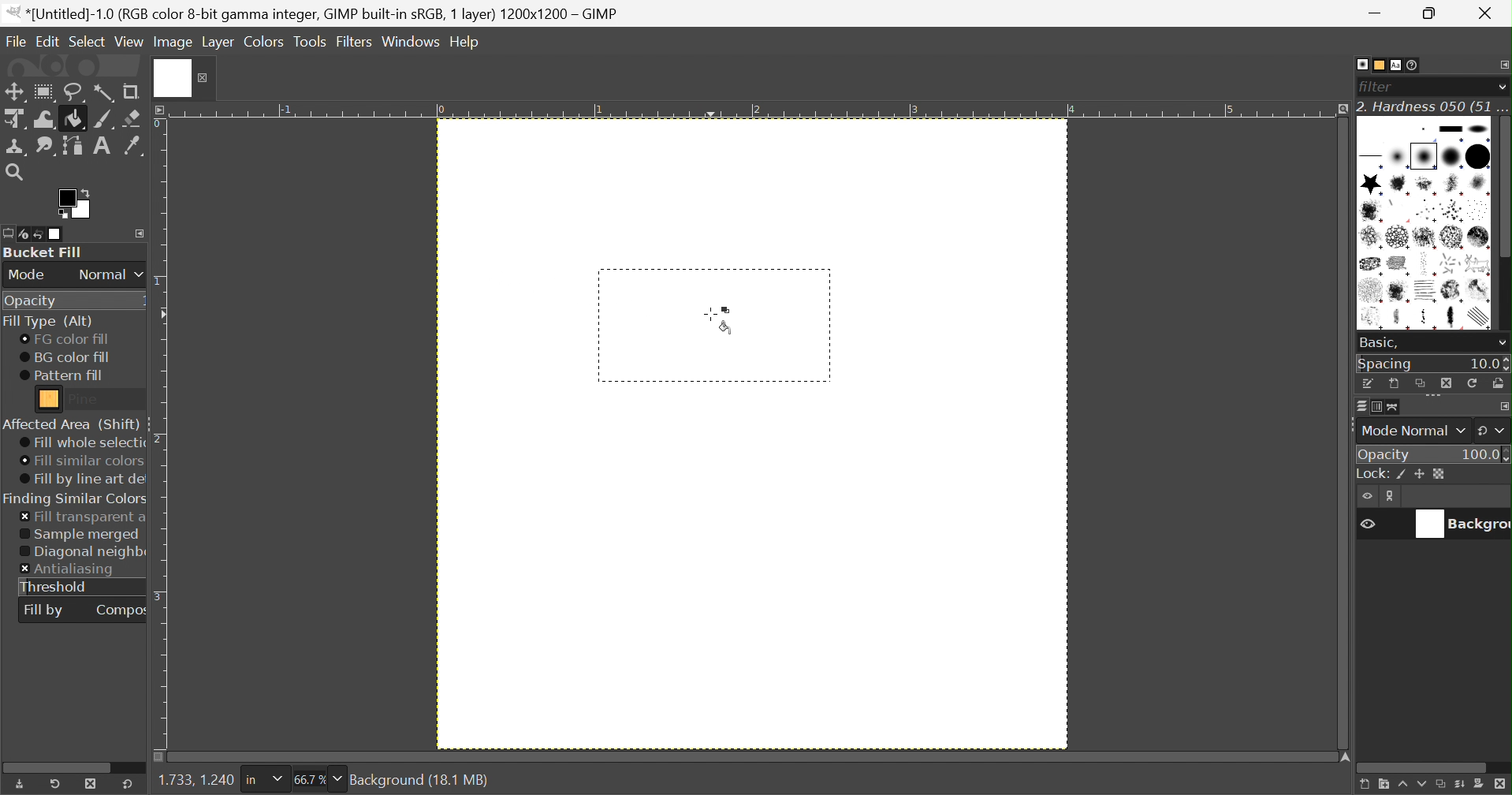 Image resolution: width=1512 pixels, height=795 pixels. I want to click on Zoom image when window size changes, so click(1340, 110).